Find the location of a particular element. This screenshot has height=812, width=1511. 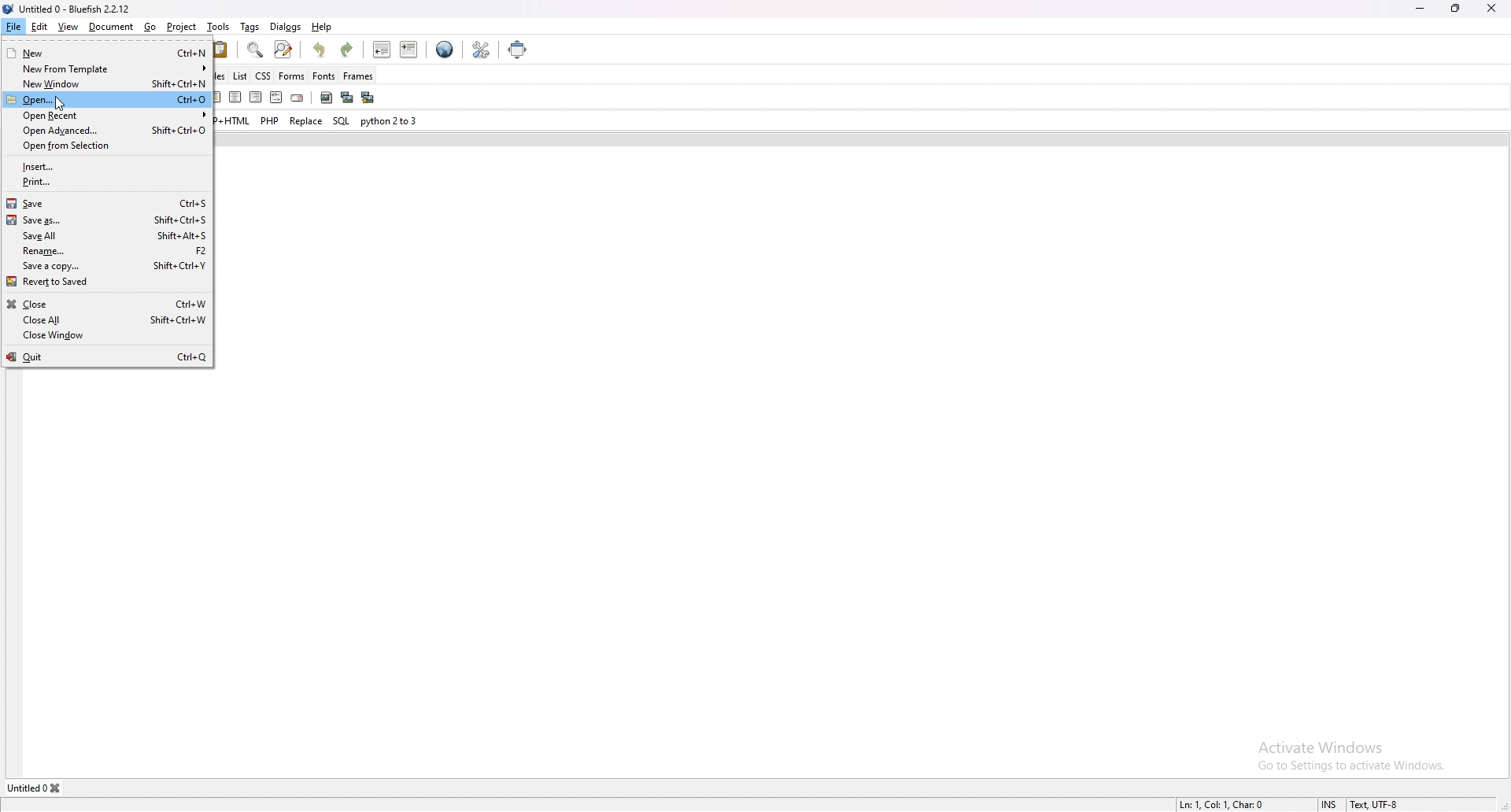

open advanced is located at coordinates (60, 132).